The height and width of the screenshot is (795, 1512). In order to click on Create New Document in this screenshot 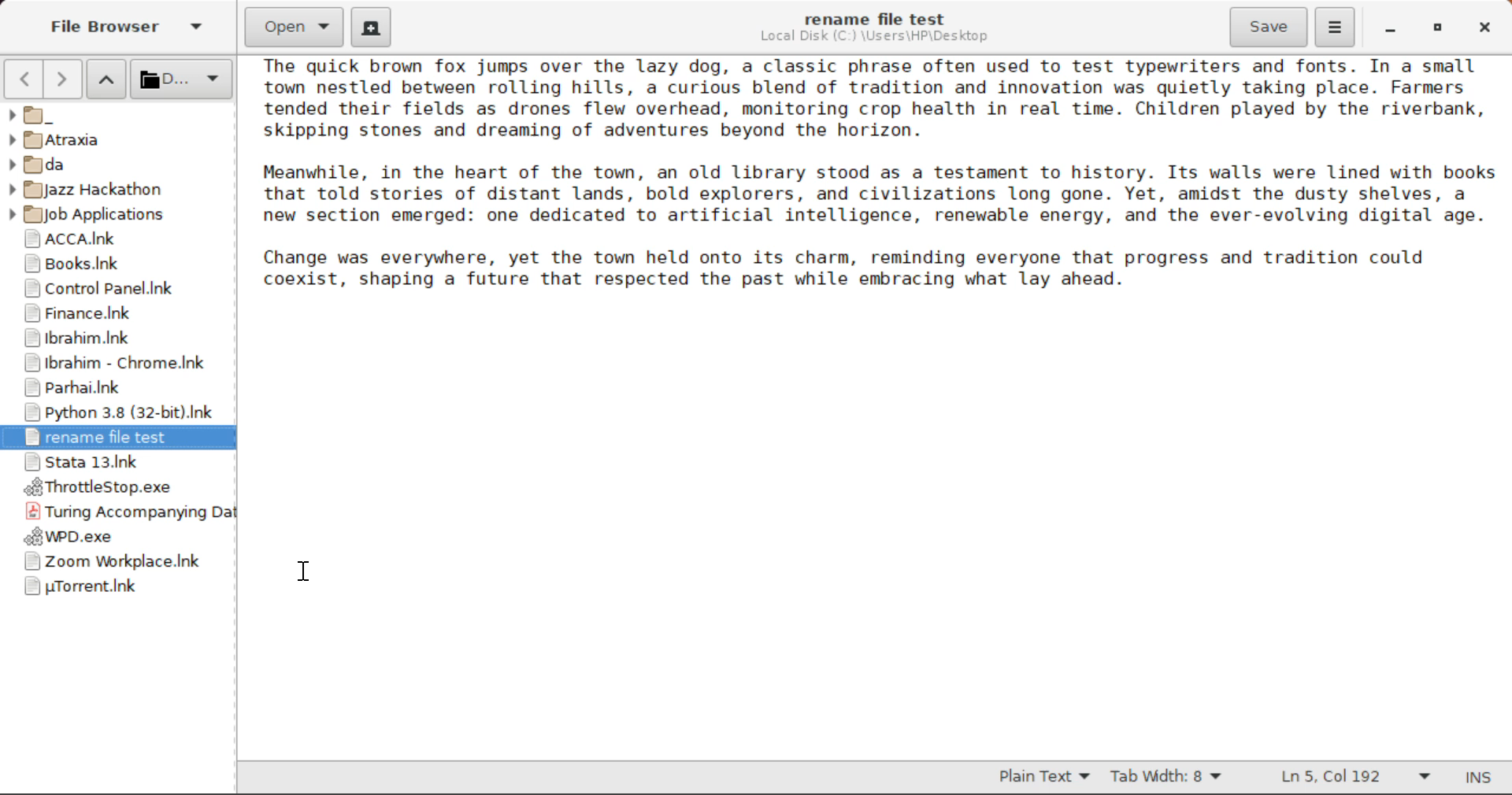, I will do `click(370, 26)`.